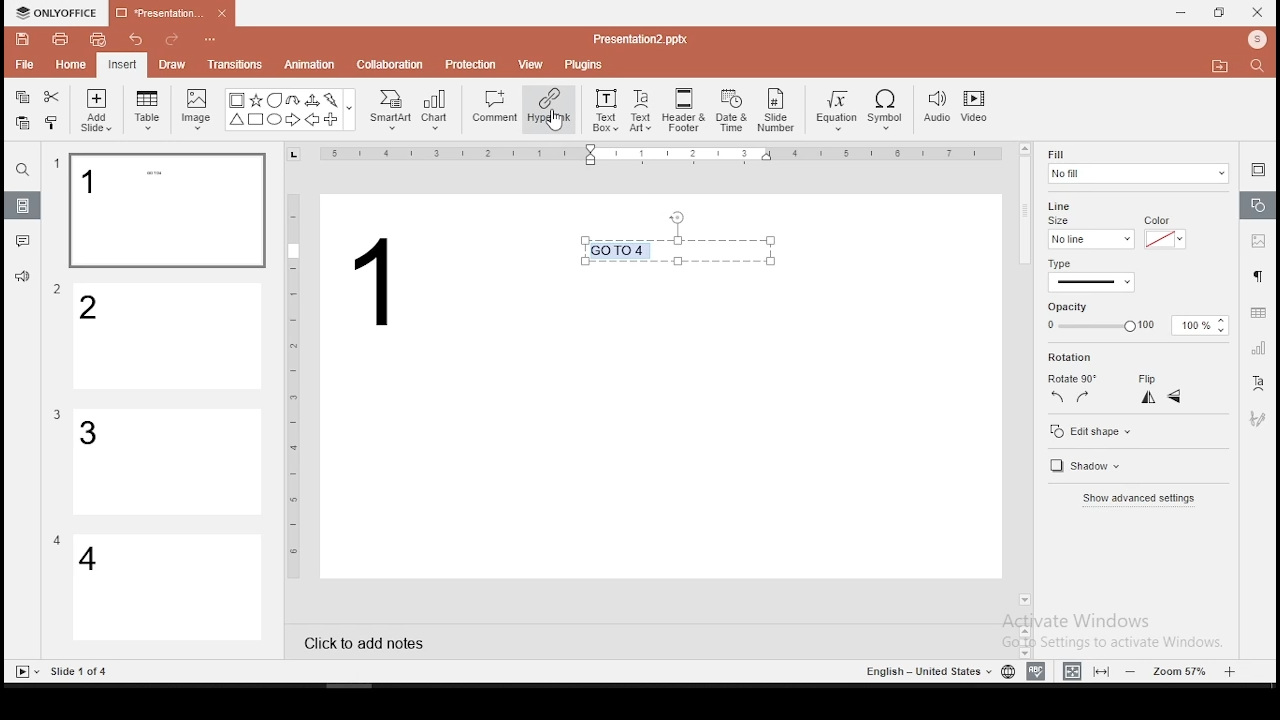  What do you see at coordinates (23, 672) in the screenshot?
I see `Slide` at bounding box center [23, 672].